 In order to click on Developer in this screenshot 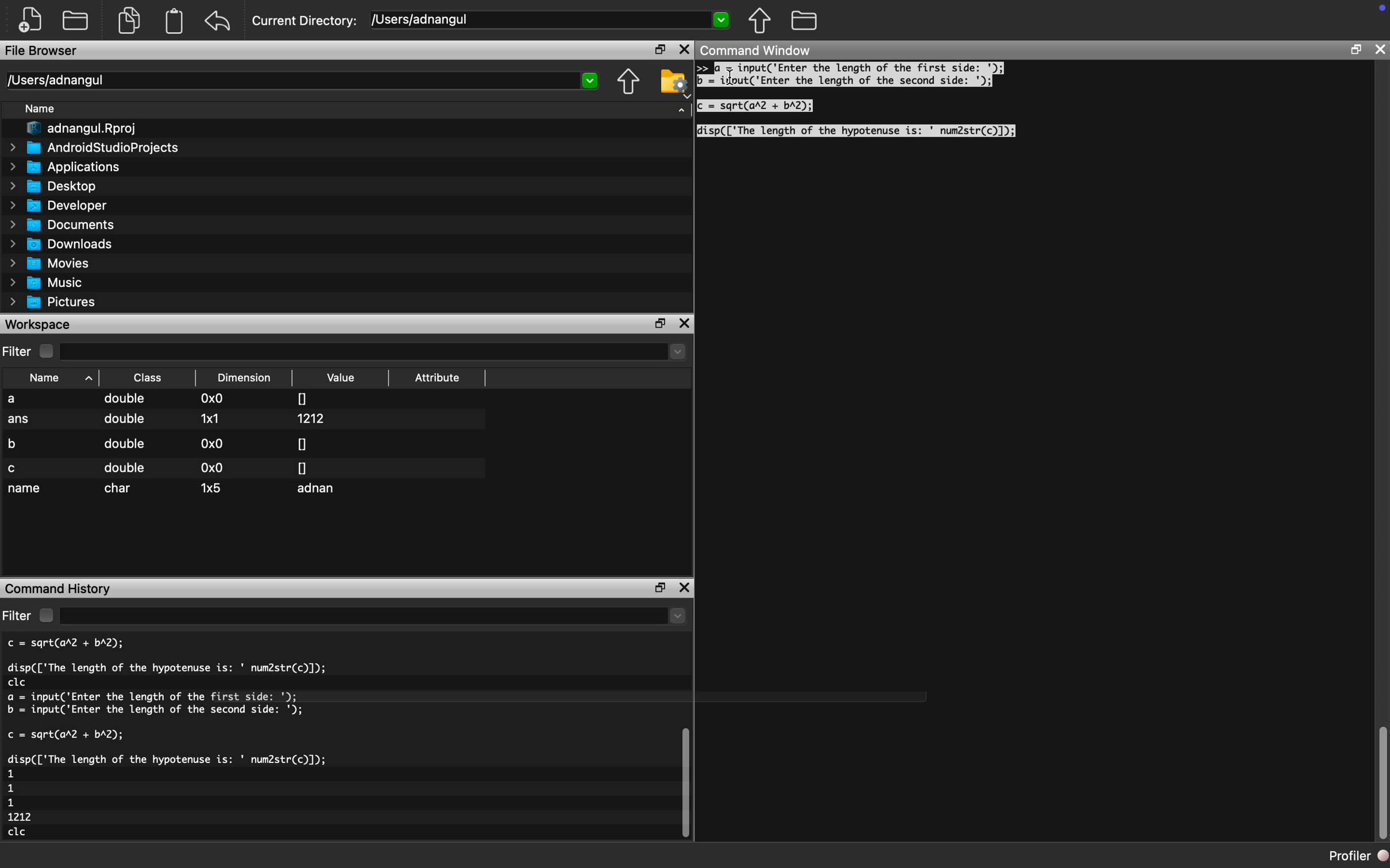, I will do `click(63, 205)`.